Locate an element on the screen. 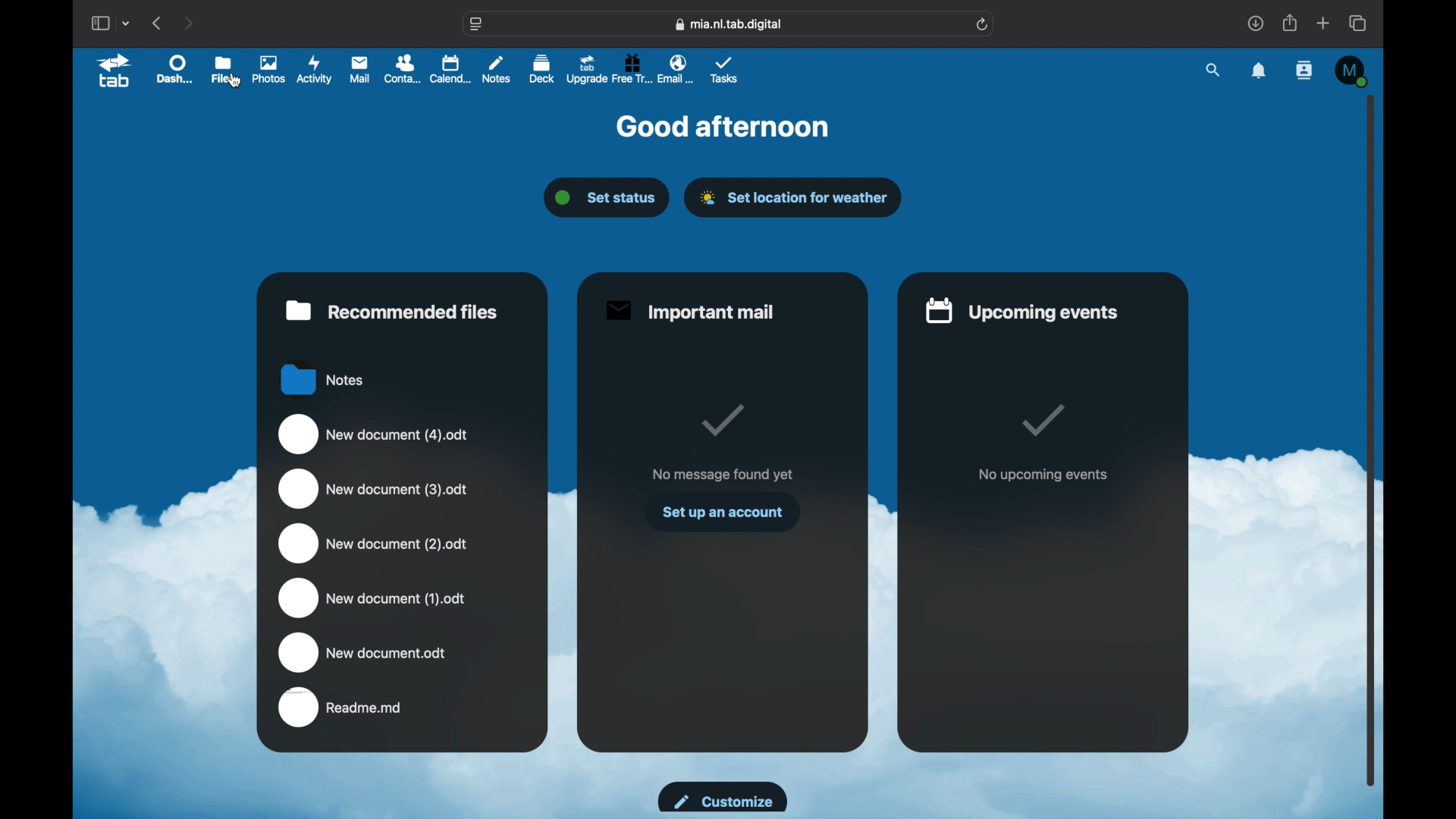  scroll box is located at coordinates (1370, 441).